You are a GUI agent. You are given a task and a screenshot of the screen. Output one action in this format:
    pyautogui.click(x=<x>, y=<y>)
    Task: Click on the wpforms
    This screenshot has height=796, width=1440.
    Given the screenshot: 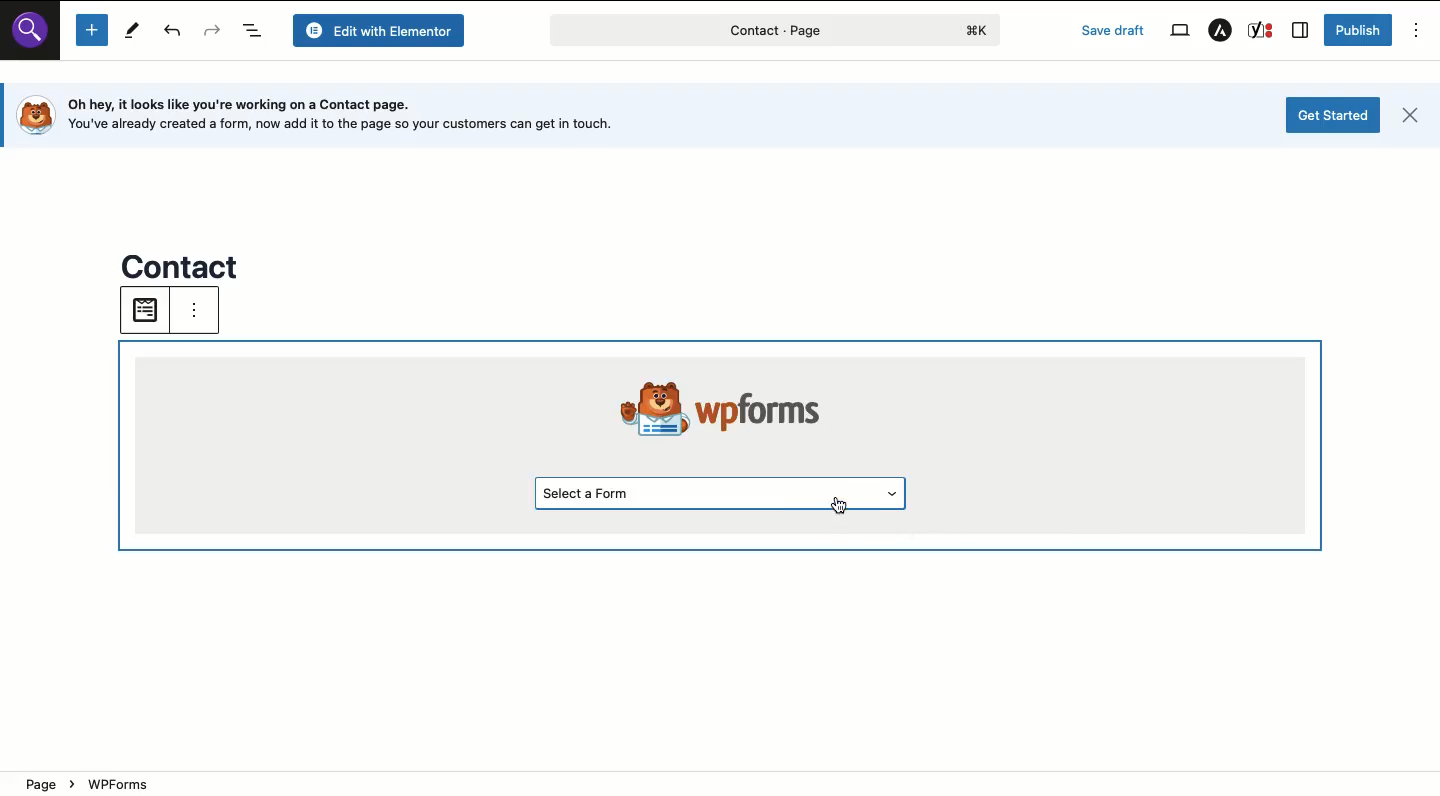 What is the action you would take?
    pyautogui.click(x=777, y=407)
    